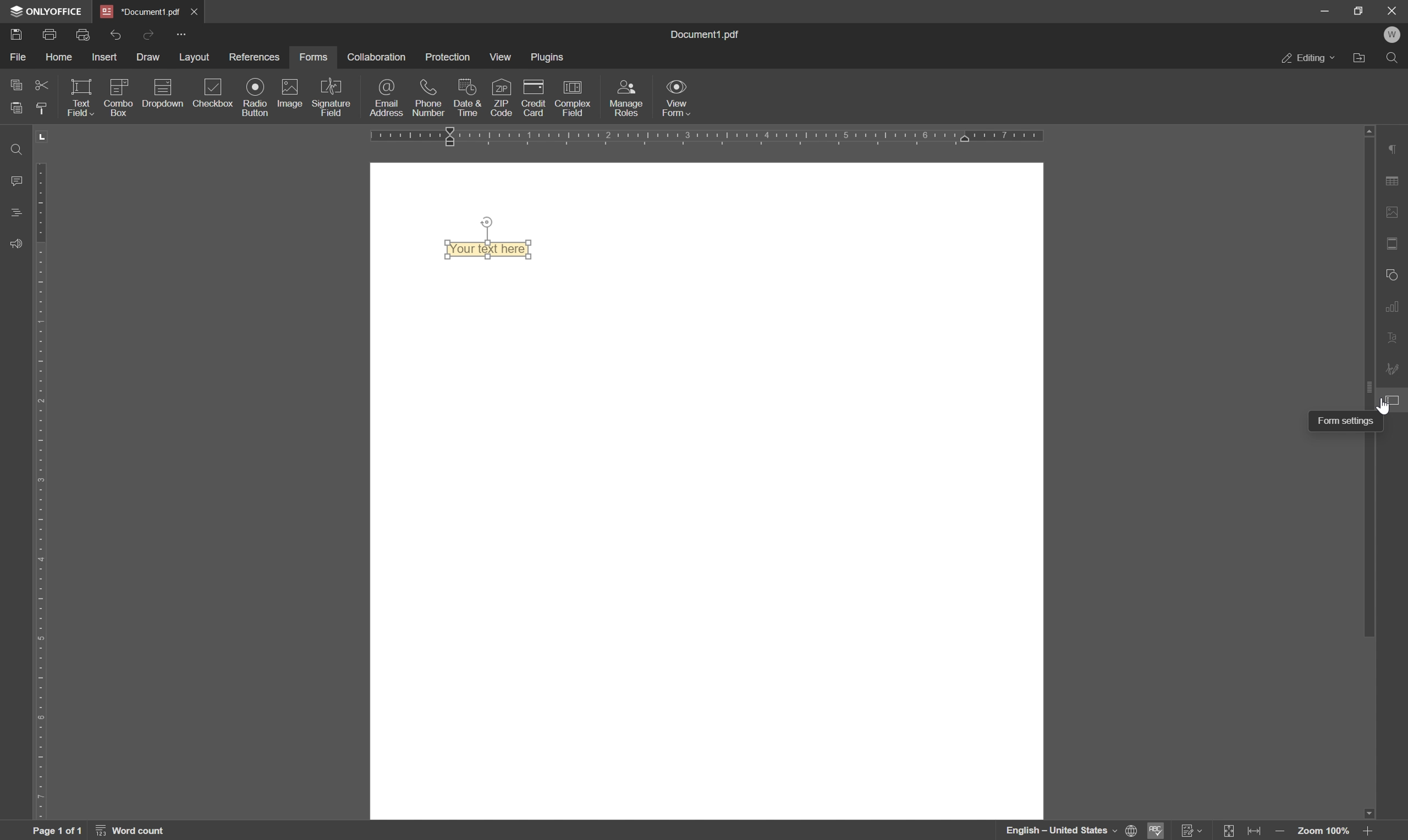 This screenshot has height=840, width=1408. Describe the element at coordinates (253, 97) in the screenshot. I see `radio button` at that location.